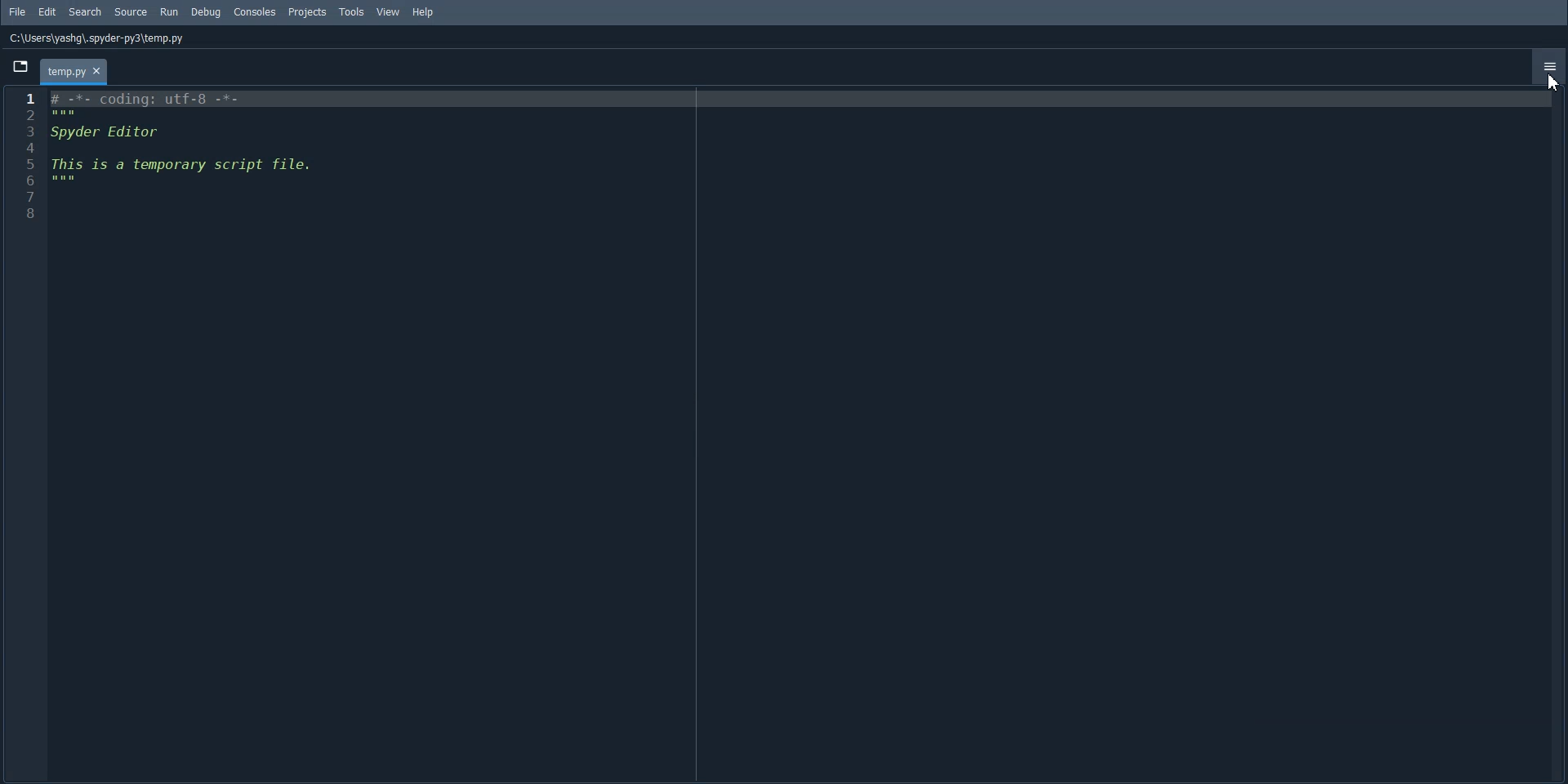 This screenshot has width=1568, height=784. I want to click on Source, so click(131, 11).